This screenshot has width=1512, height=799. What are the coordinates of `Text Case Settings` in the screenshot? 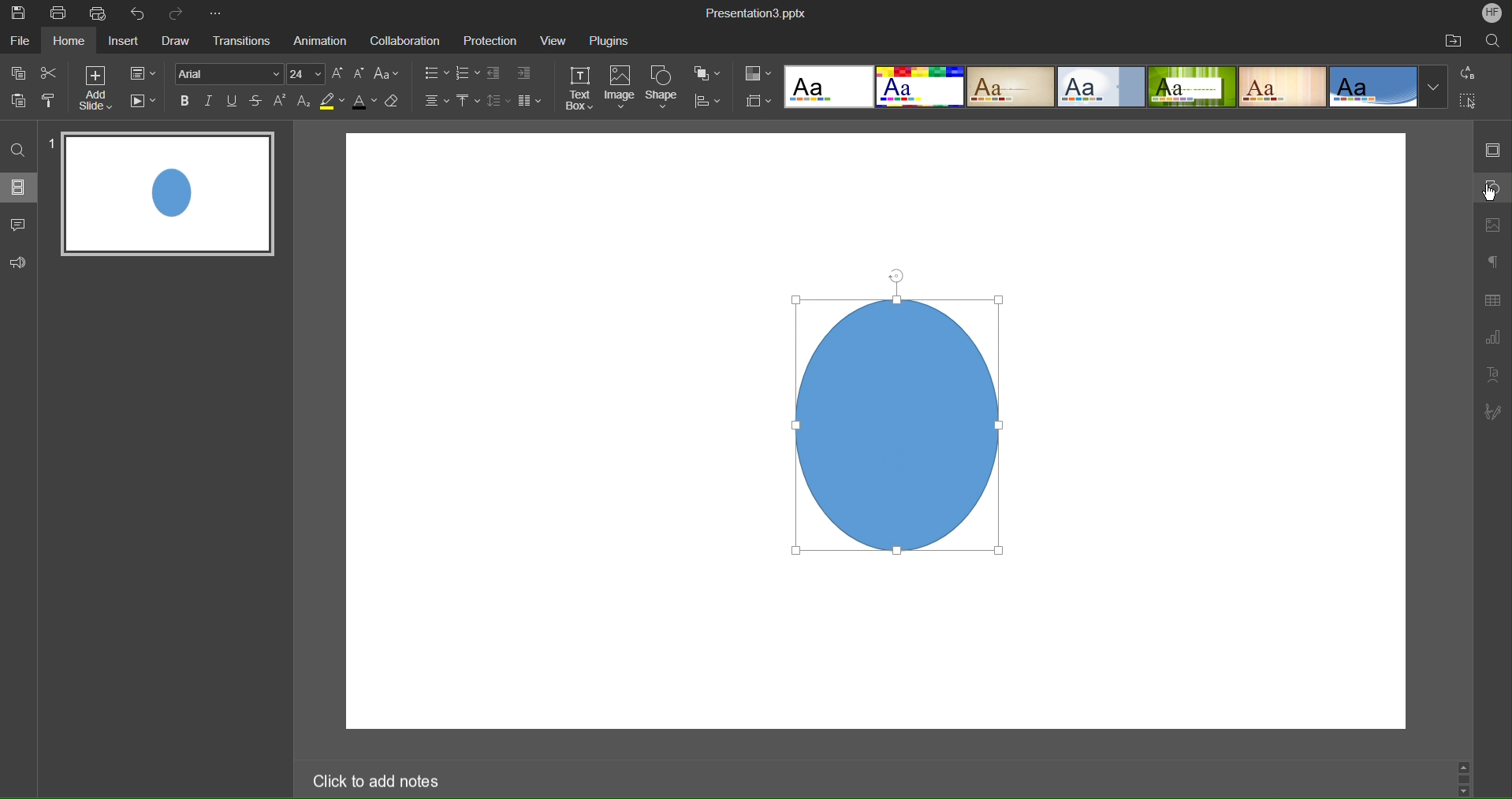 It's located at (389, 74).